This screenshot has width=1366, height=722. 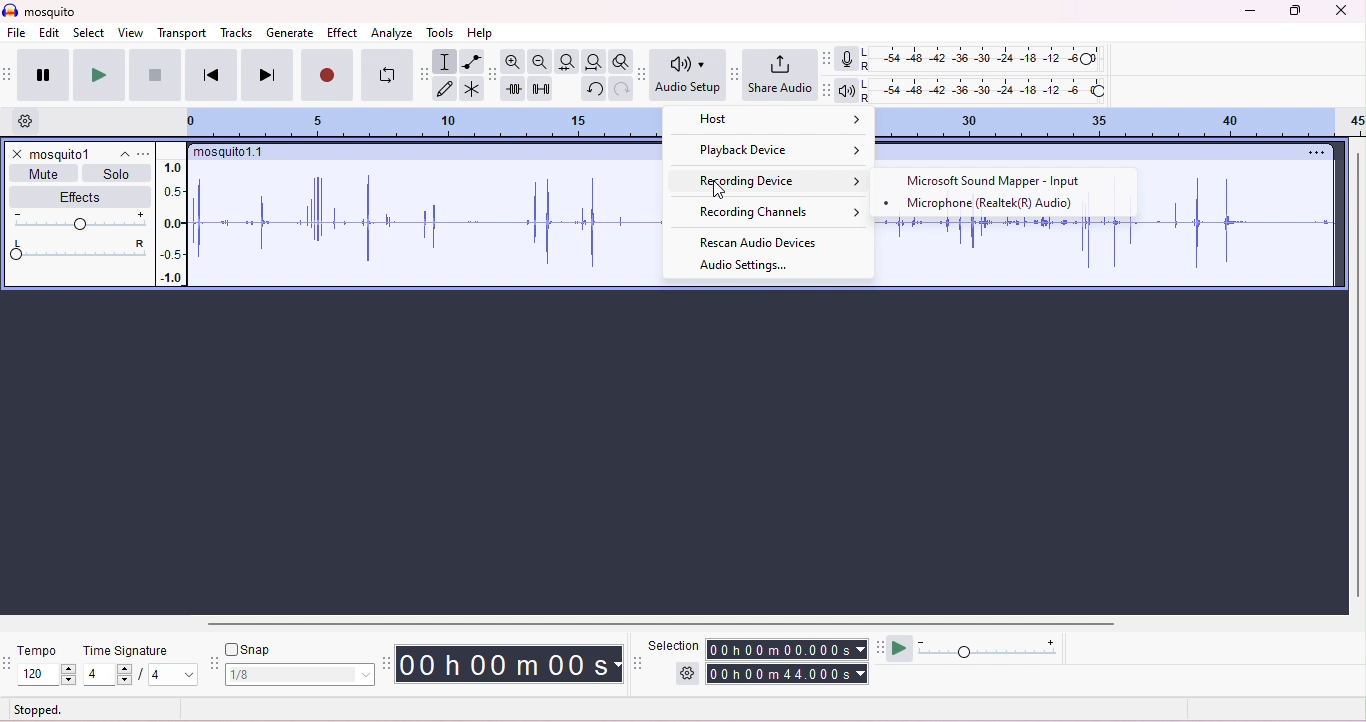 What do you see at coordinates (90, 34) in the screenshot?
I see `select` at bounding box center [90, 34].